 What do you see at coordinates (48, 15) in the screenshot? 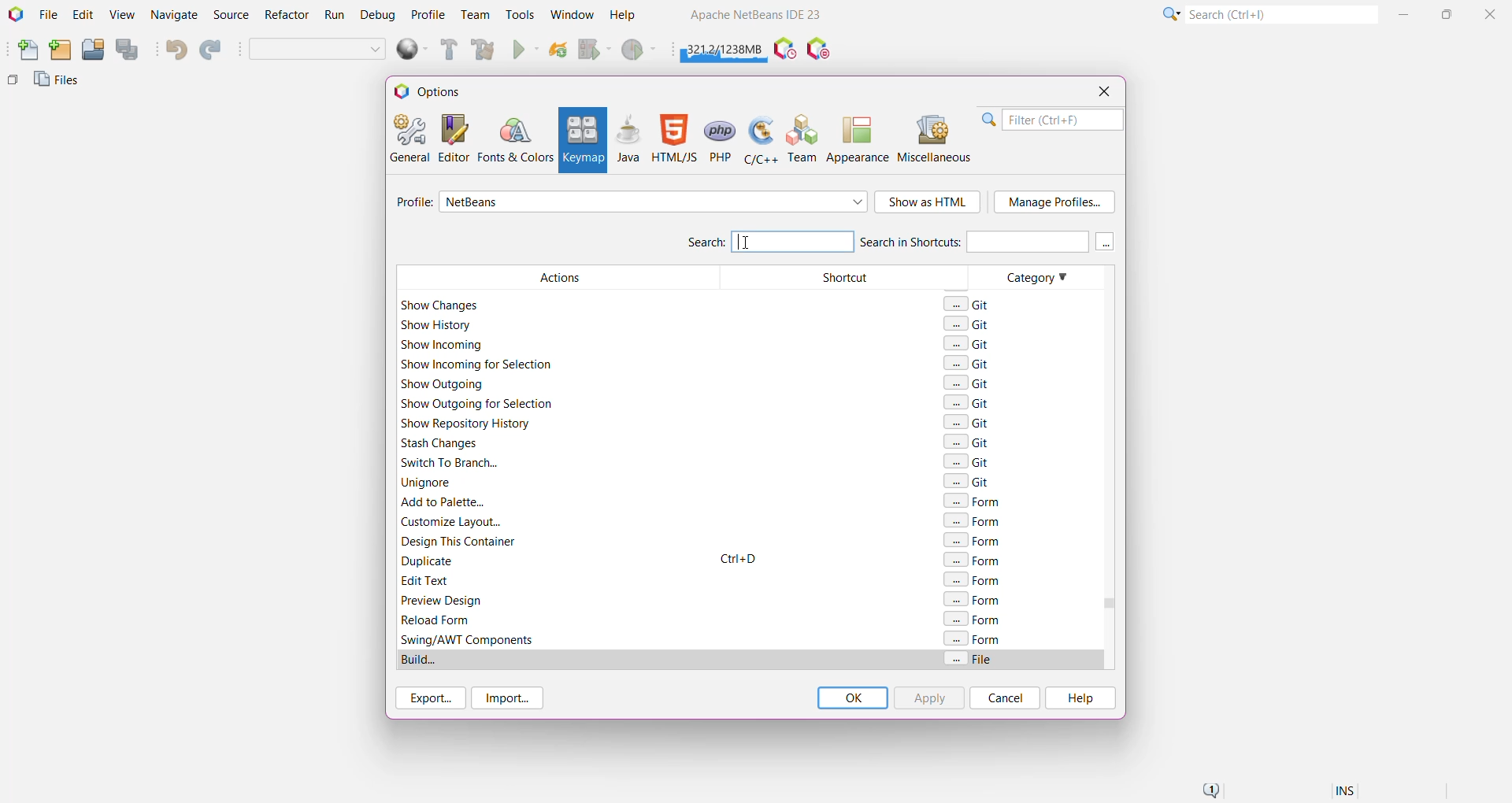
I see `File` at bounding box center [48, 15].